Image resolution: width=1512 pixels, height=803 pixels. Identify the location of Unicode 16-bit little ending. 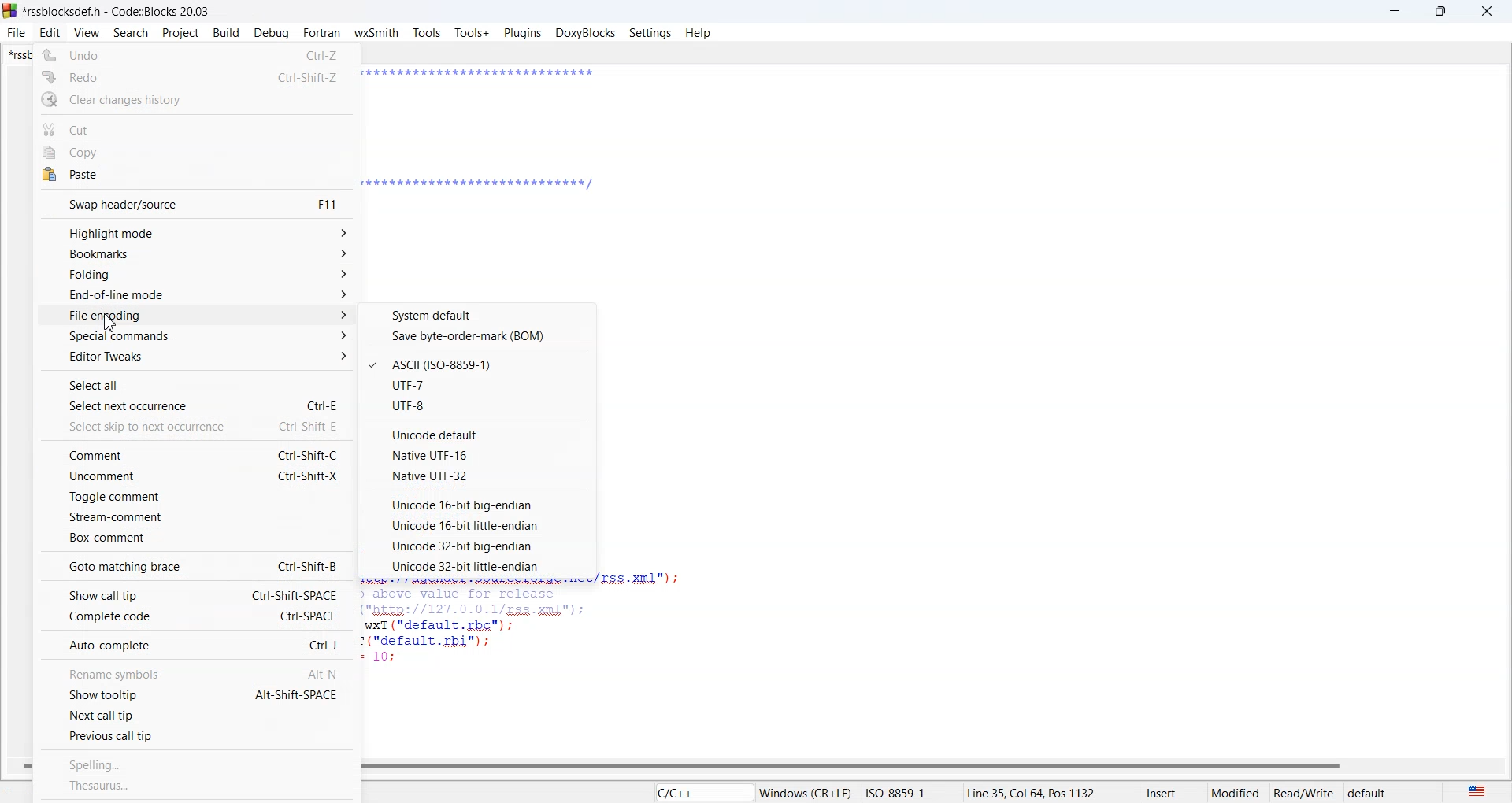
(476, 526).